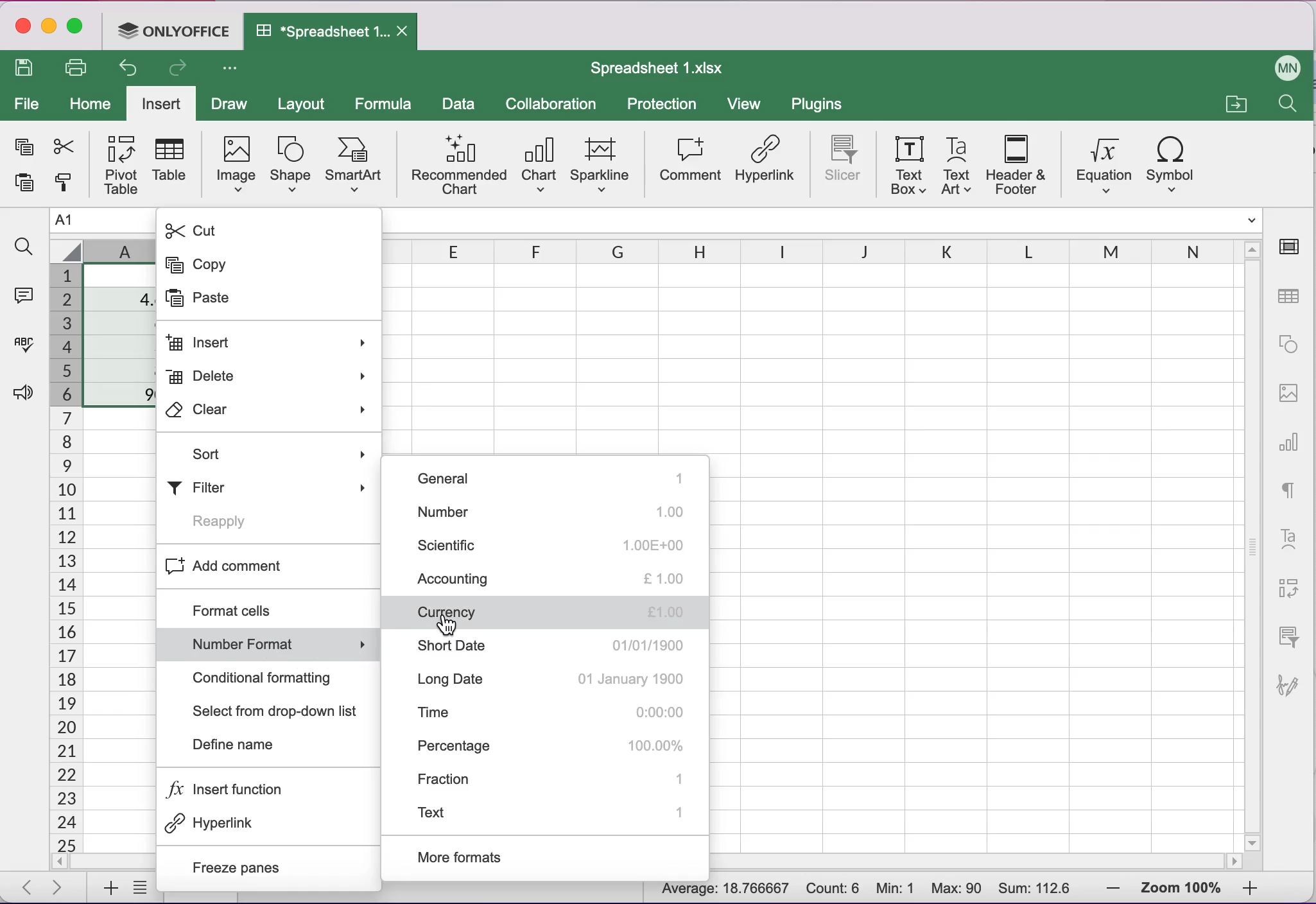  Describe the element at coordinates (56, 889) in the screenshot. I see `next sheet` at that location.